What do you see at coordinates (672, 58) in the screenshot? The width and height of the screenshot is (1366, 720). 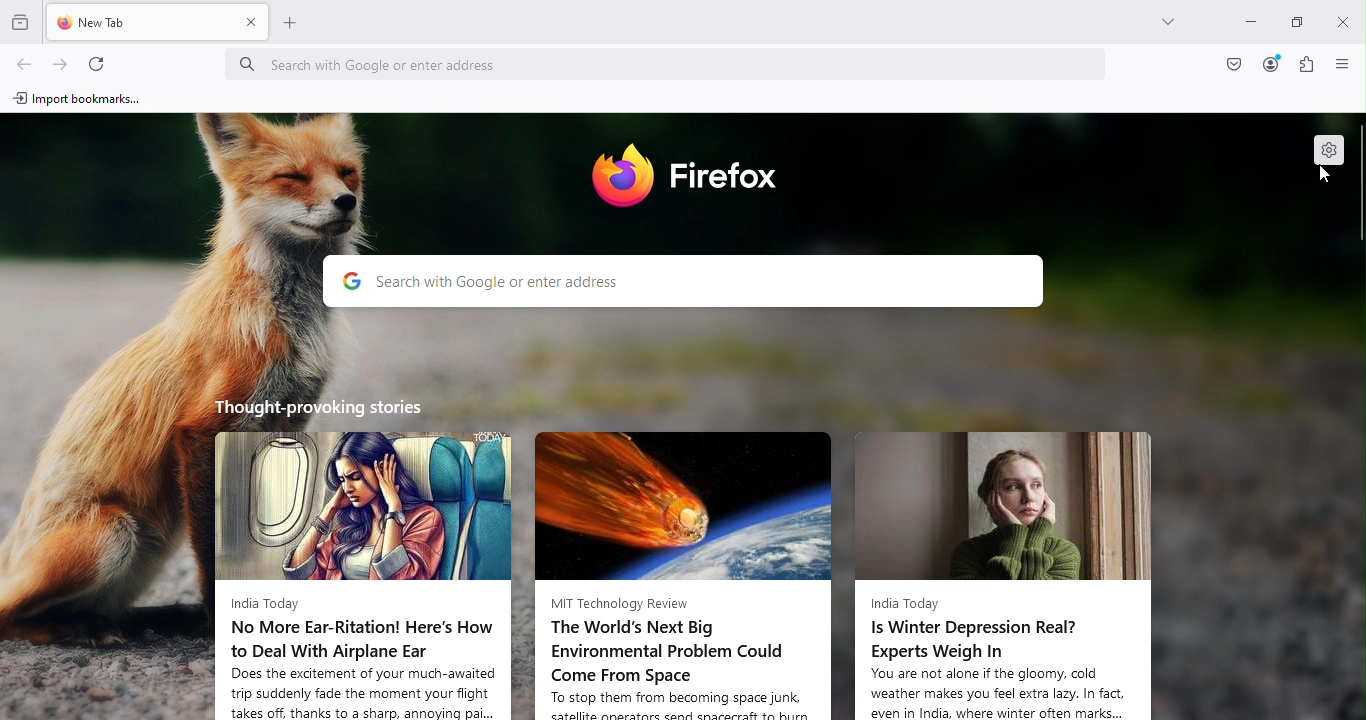 I see `Search bar` at bounding box center [672, 58].